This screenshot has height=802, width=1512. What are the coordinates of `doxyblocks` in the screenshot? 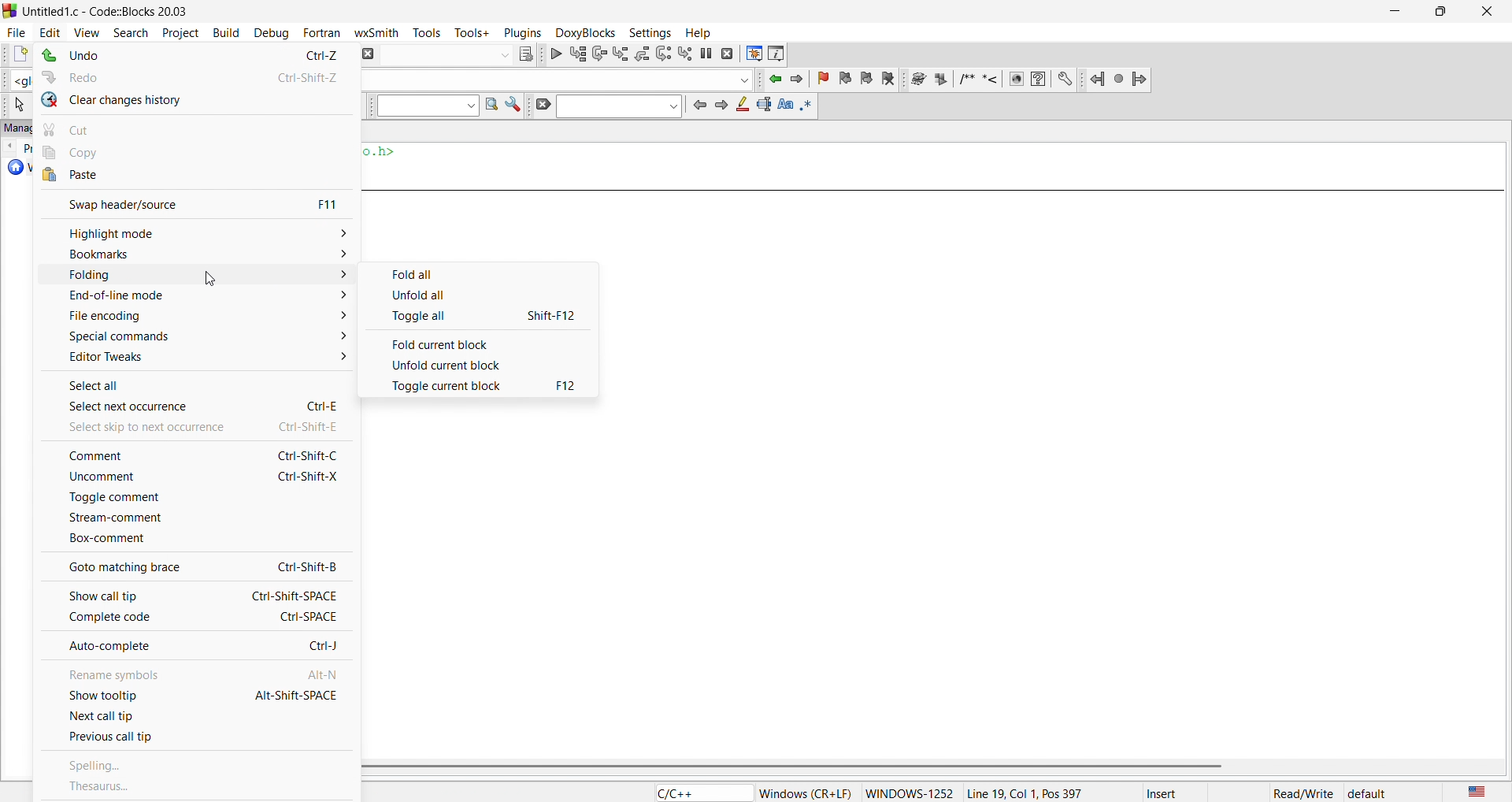 It's located at (583, 31).